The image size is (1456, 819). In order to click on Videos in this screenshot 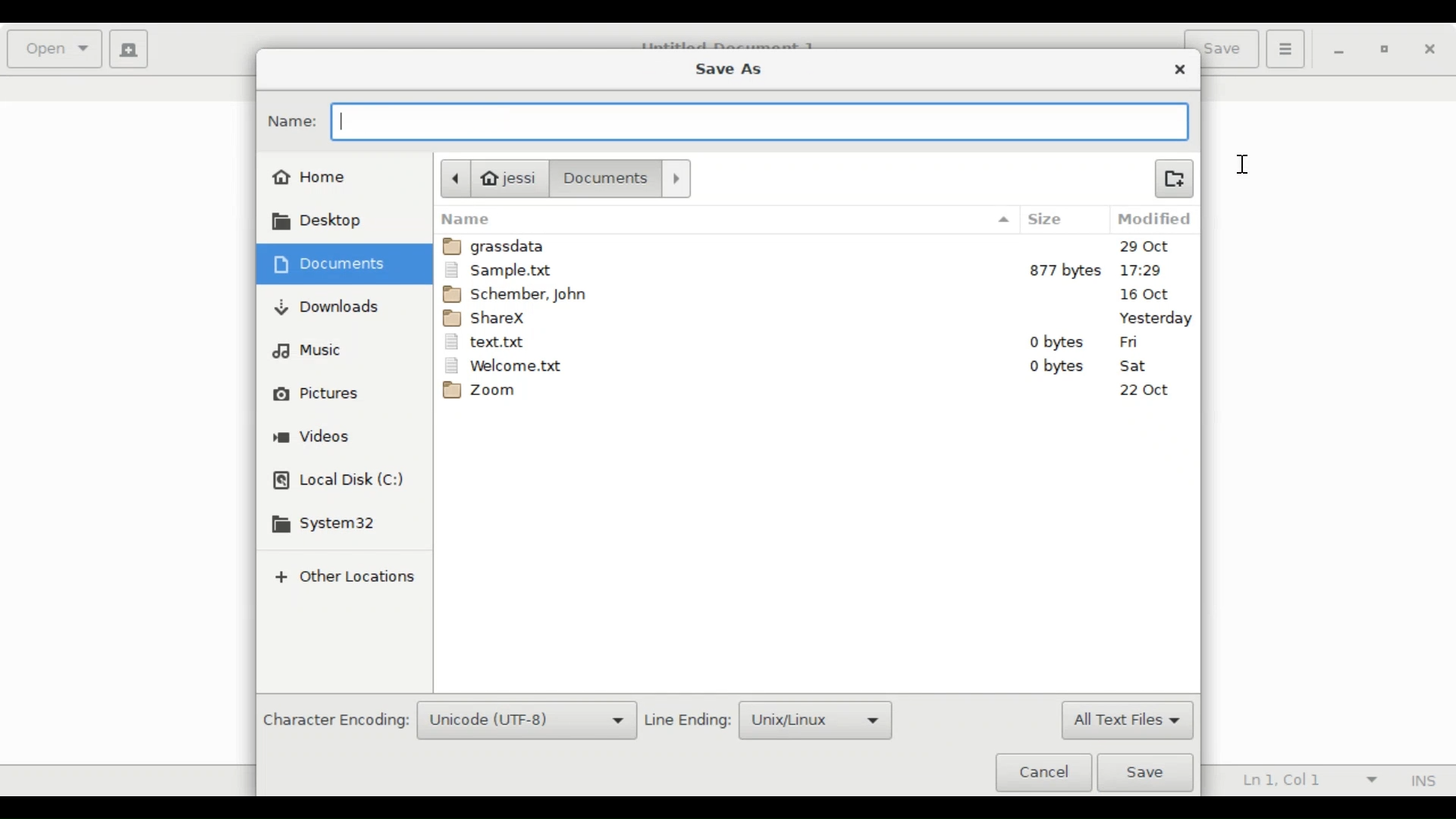, I will do `click(313, 438)`.